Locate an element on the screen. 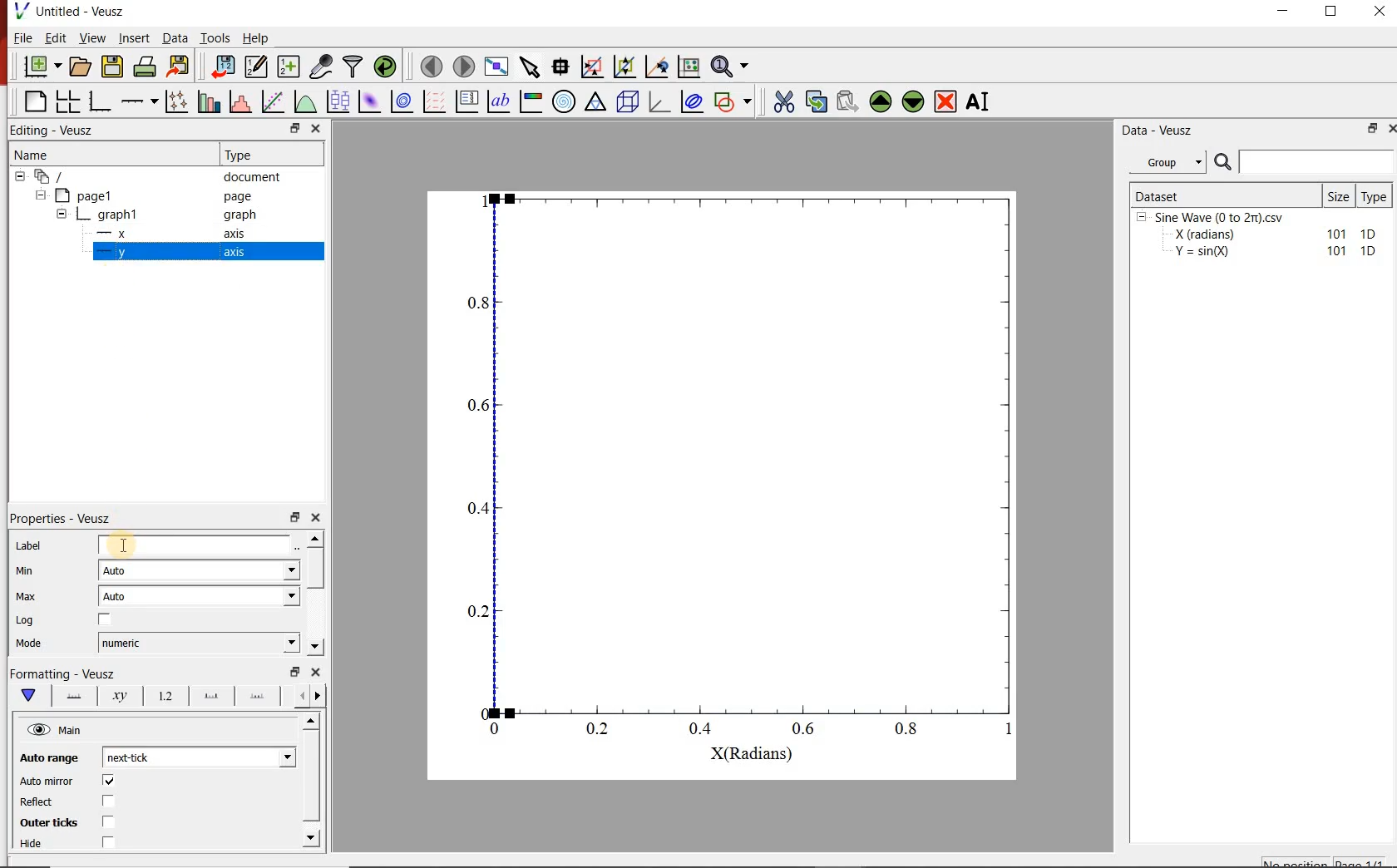 The image size is (1397, 868). plot covariance ellipses is located at coordinates (691, 101).